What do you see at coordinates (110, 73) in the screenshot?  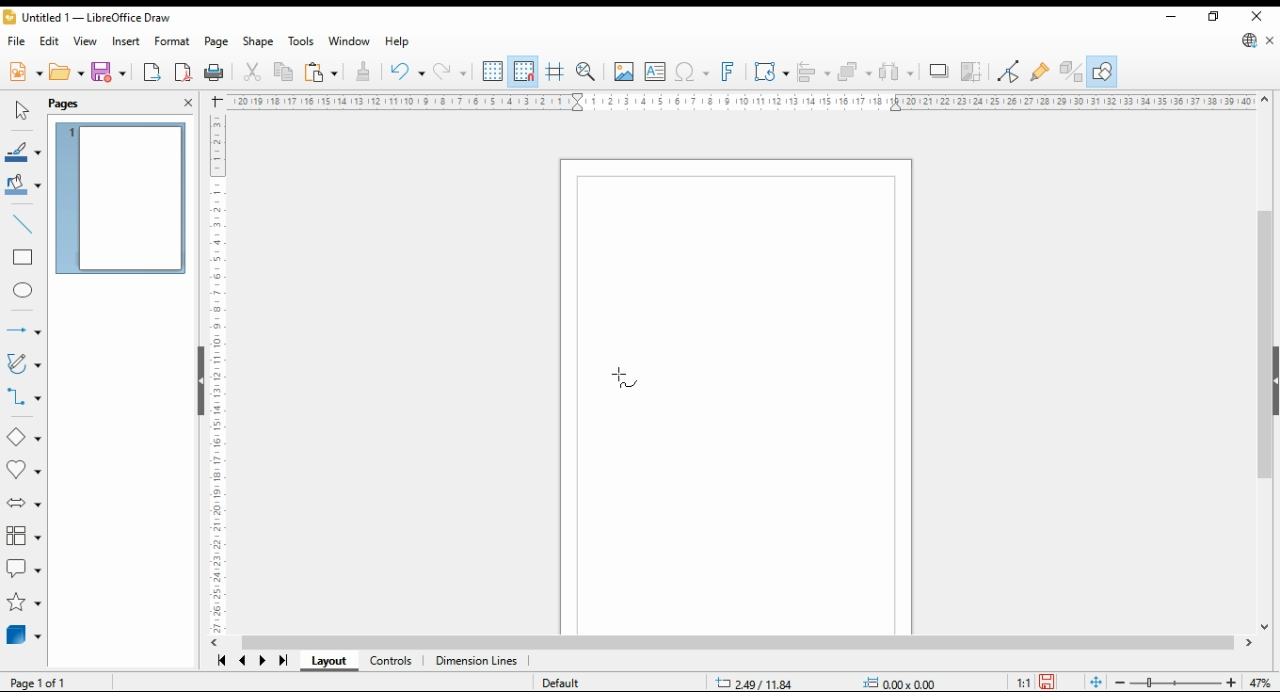 I see `save` at bounding box center [110, 73].